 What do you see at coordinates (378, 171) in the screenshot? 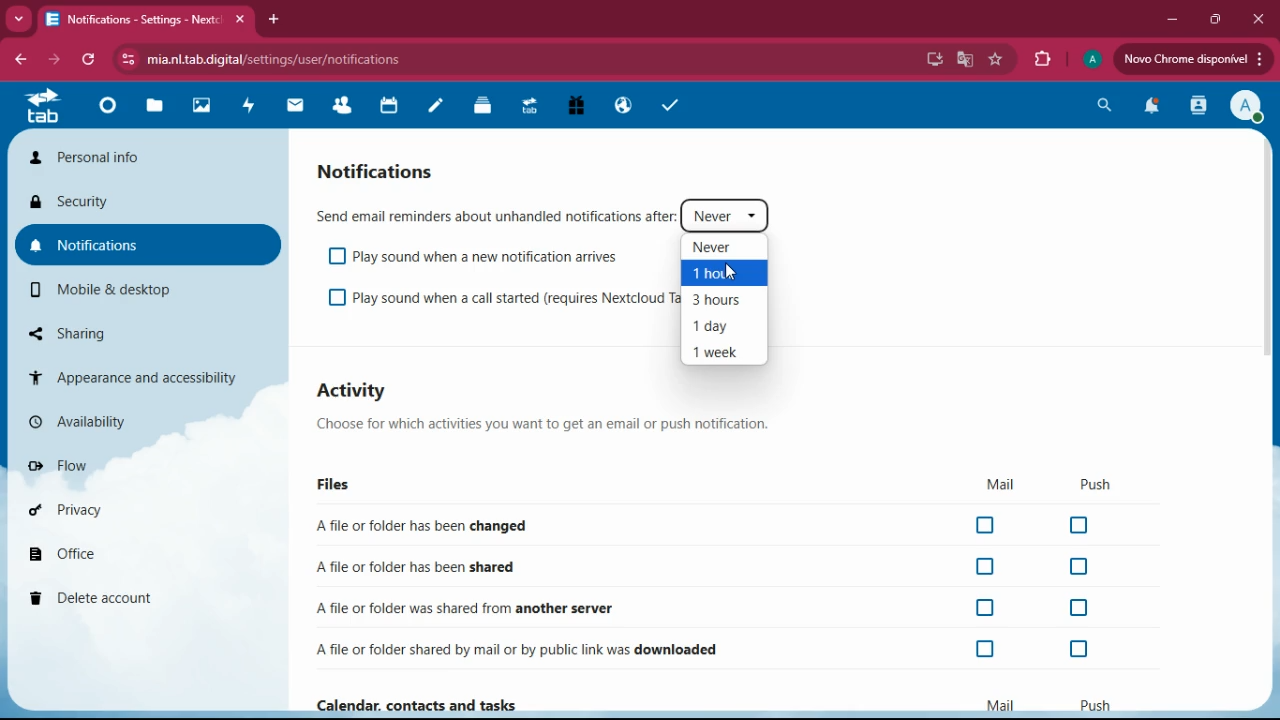
I see `notifications` at bounding box center [378, 171].